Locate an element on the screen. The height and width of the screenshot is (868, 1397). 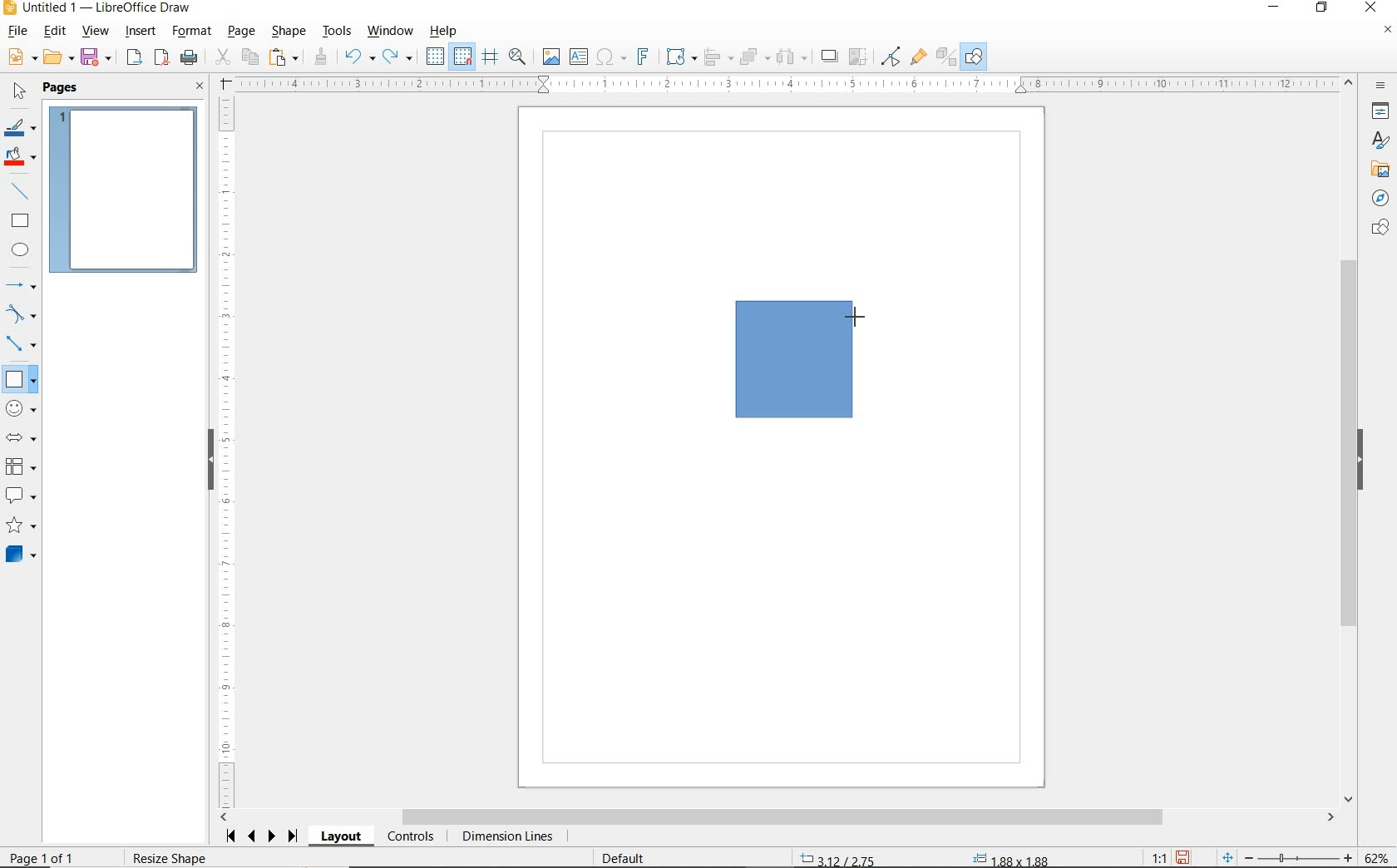
COPY is located at coordinates (249, 57).